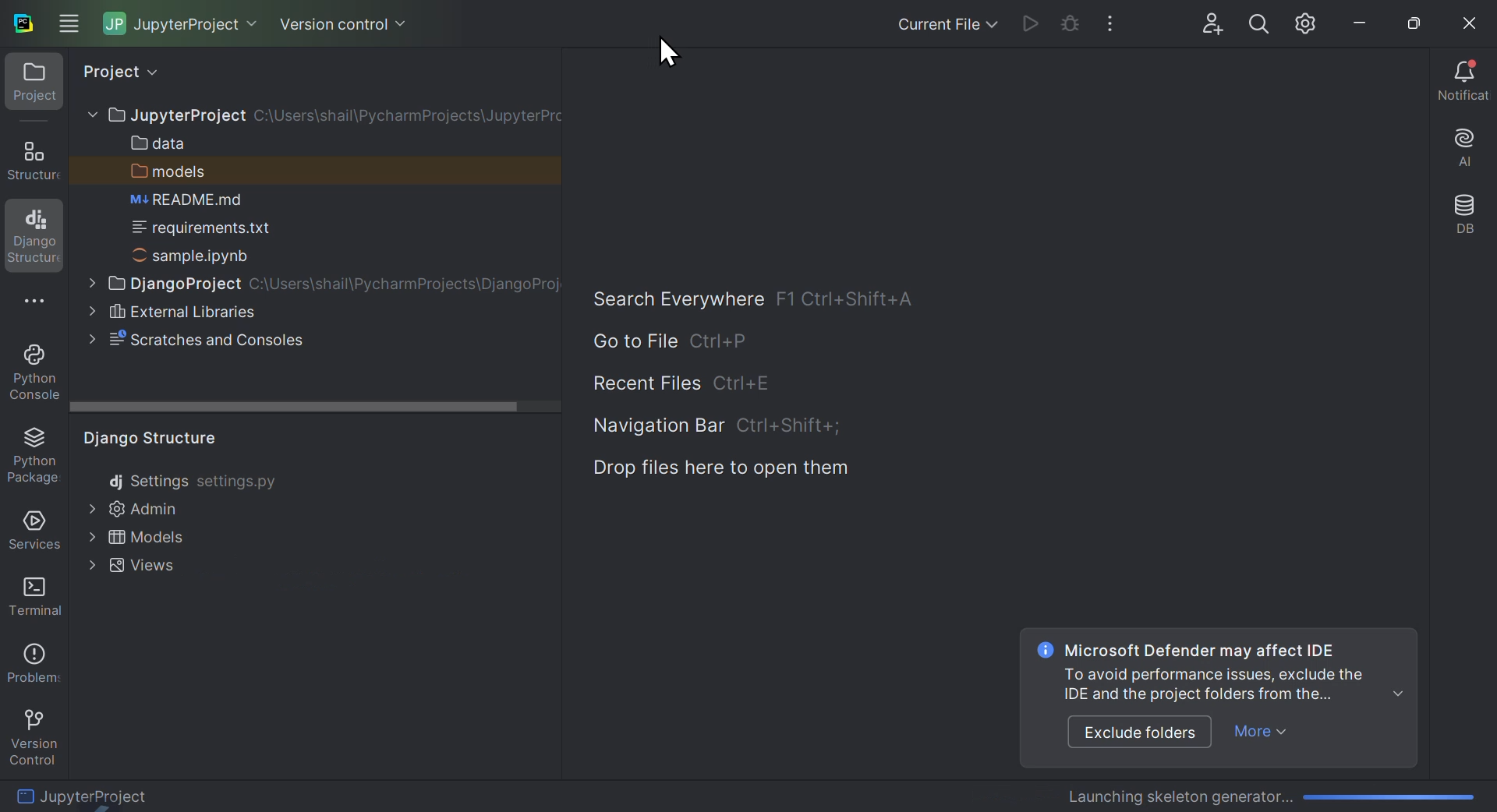 The width and height of the screenshot is (1497, 812). Describe the element at coordinates (667, 294) in the screenshot. I see `Search everywhere` at that location.